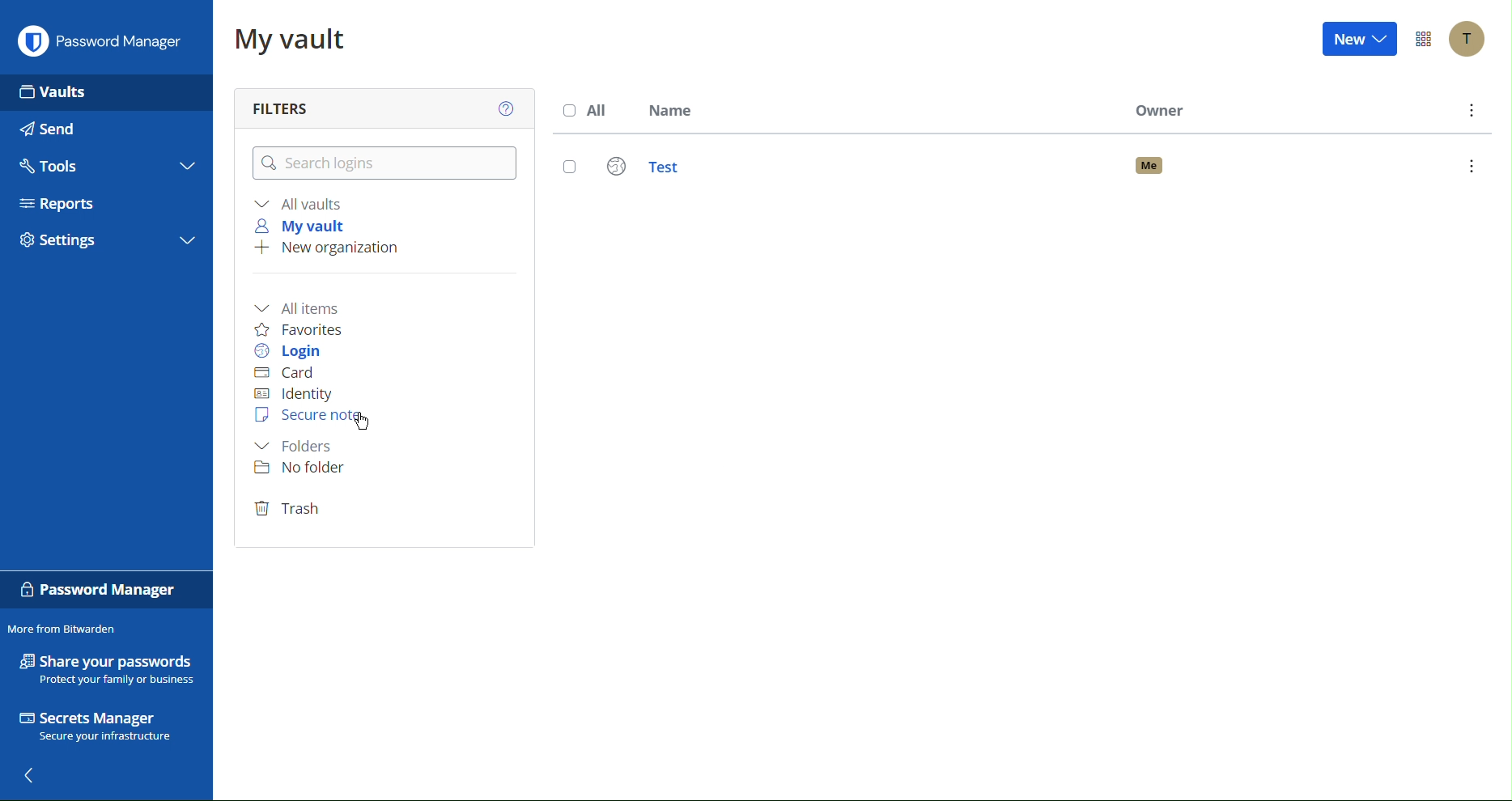 Image resolution: width=1512 pixels, height=801 pixels. I want to click on Identity, so click(308, 392).